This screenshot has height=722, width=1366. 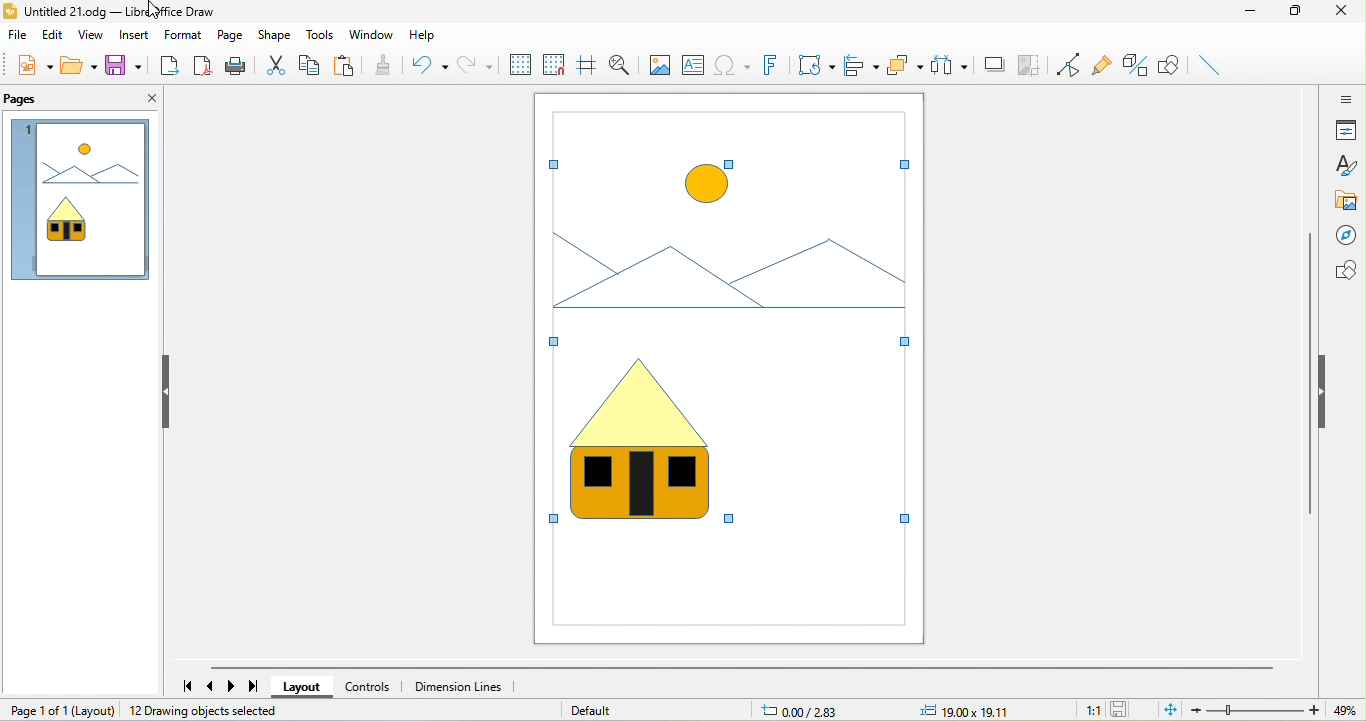 What do you see at coordinates (1338, 12) in the screenshot?
I see `close` at bounding box center [1338, 12].